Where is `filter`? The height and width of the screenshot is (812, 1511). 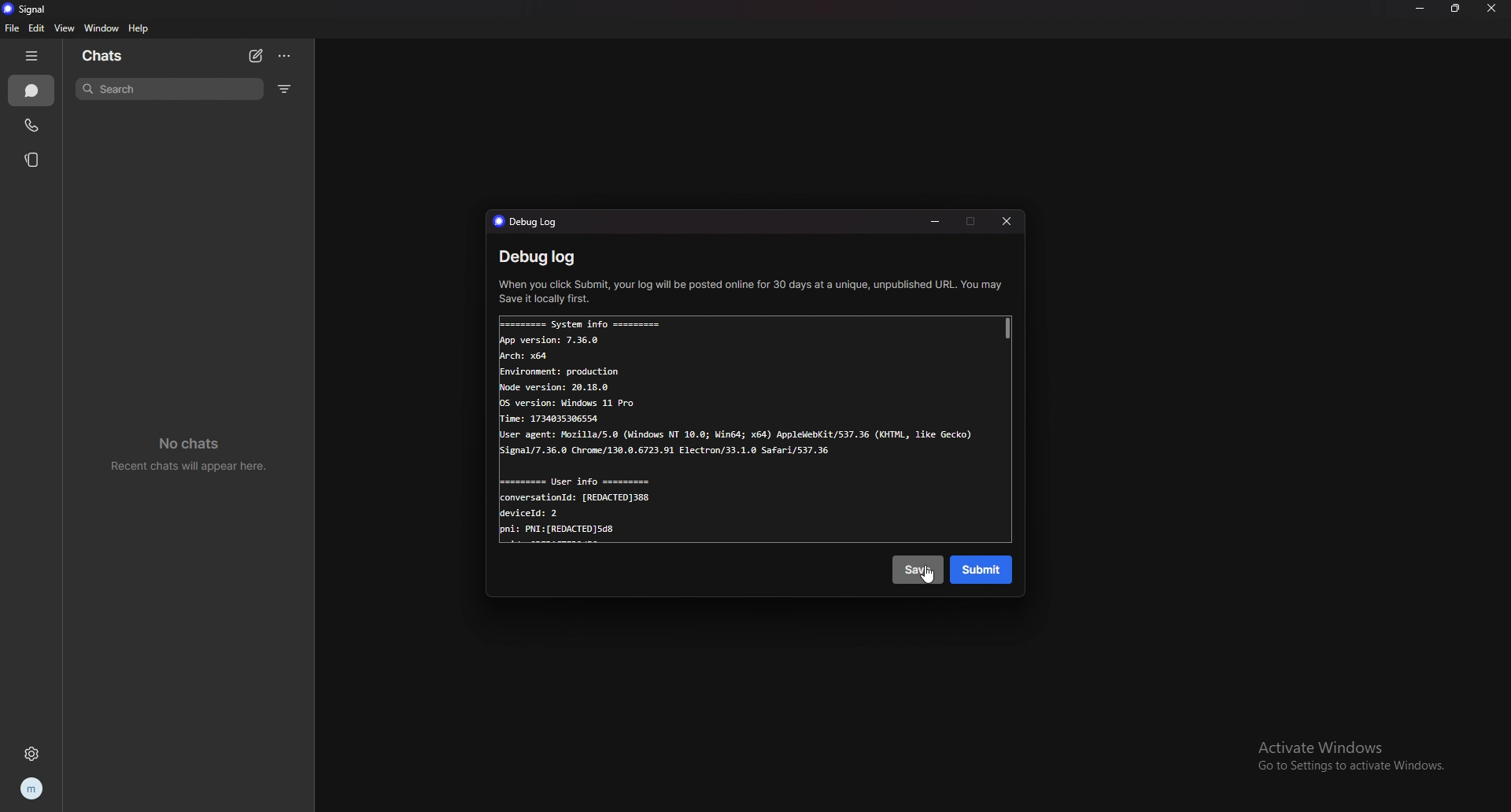
filter is located at coordinates (286, 88).